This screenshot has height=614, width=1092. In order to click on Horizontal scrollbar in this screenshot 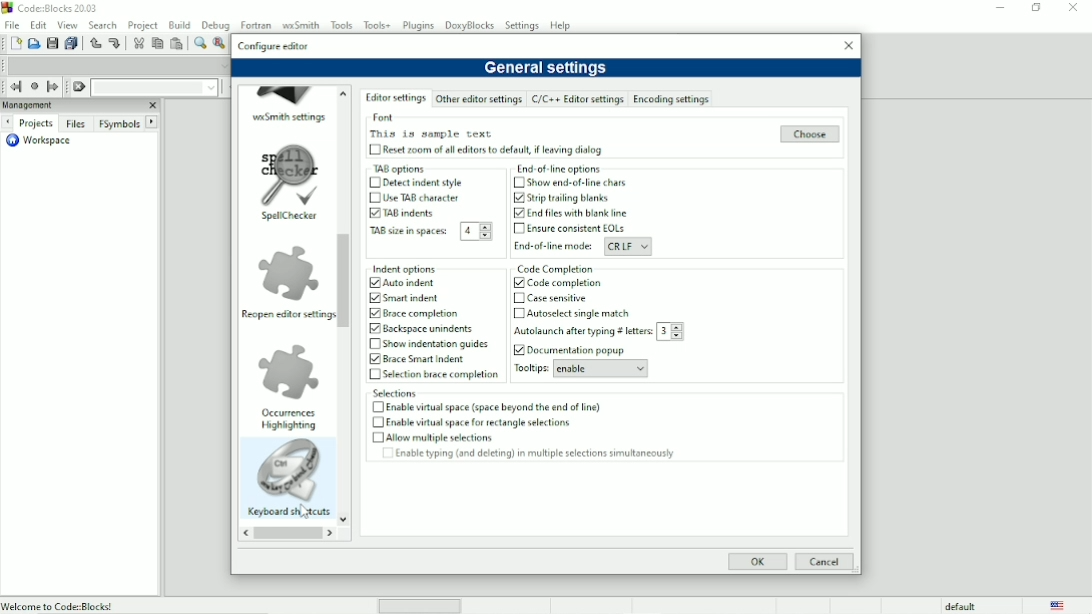, I will do `click(287, 535)`.